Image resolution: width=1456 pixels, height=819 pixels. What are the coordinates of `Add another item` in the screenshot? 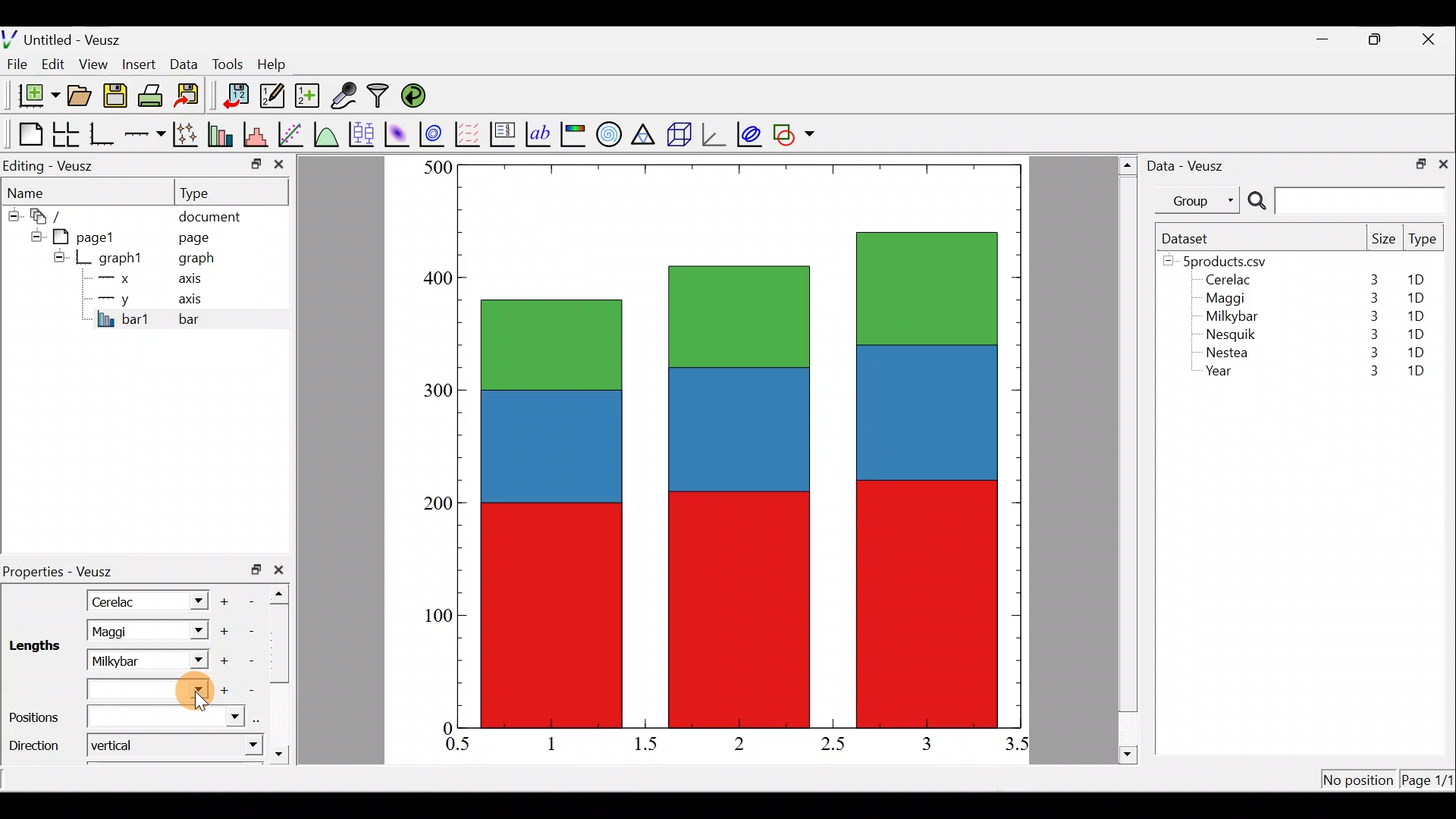 It's located at (226, 661).